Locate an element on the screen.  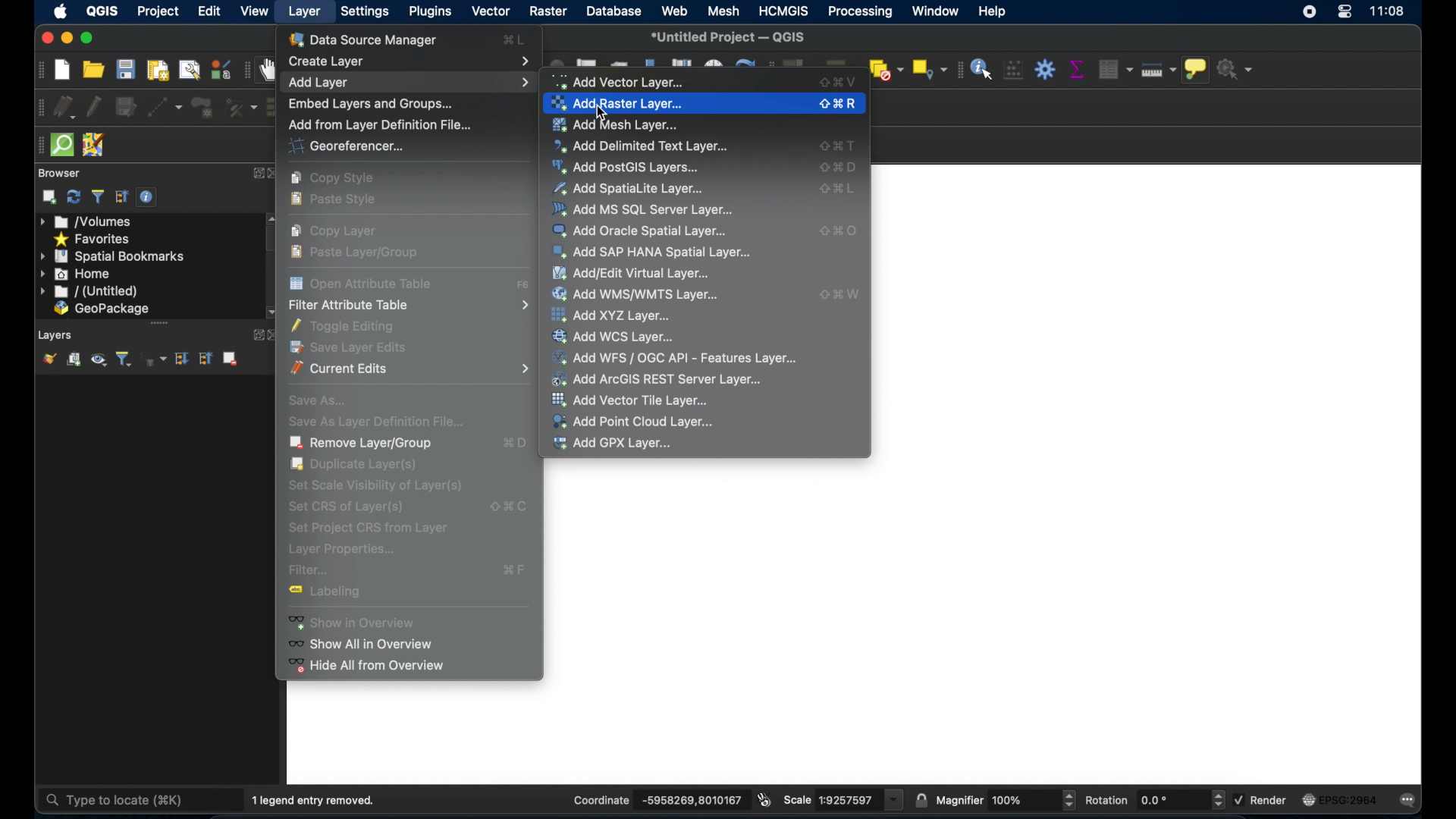
show map tips is located at coordinates (1197, 71).